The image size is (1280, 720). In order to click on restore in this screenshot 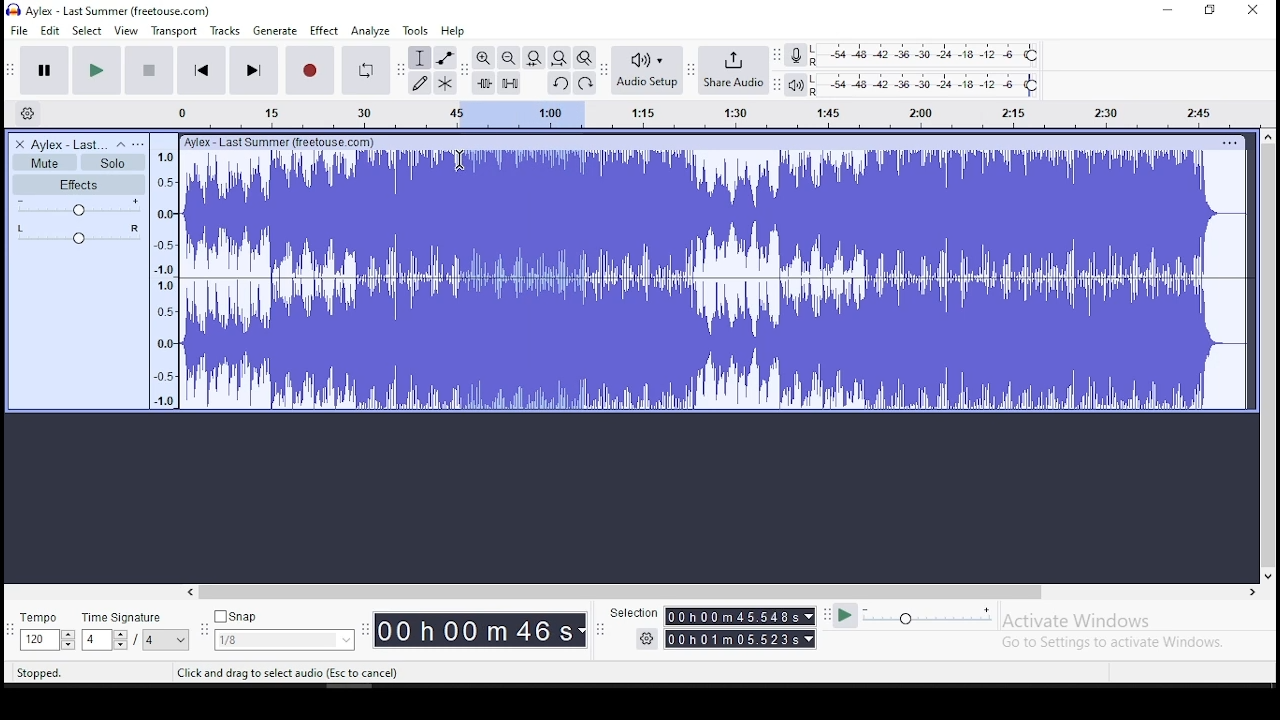, I will do `click(1210, 11)`.